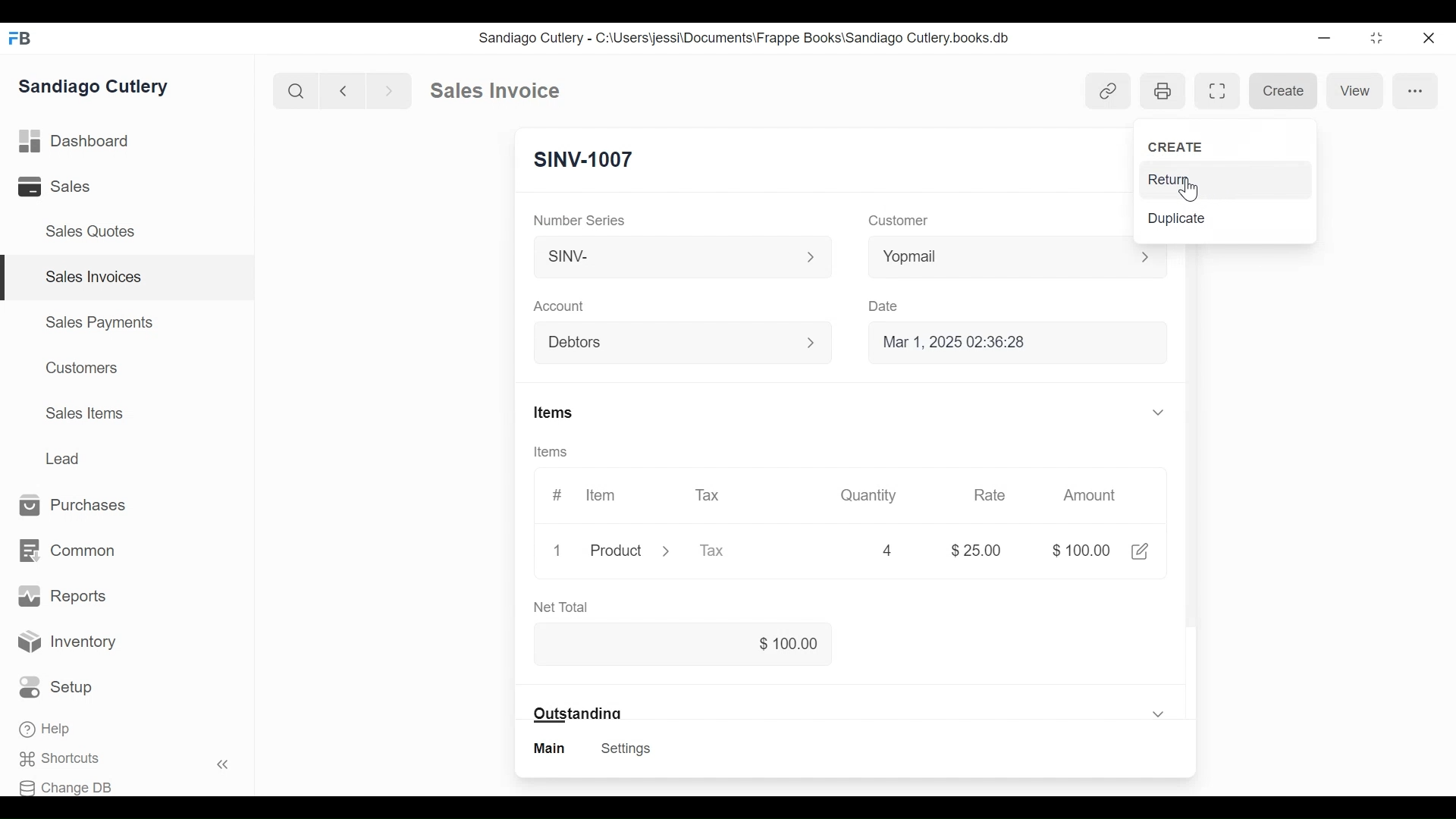 Image resolution: width=1456 pixels, height=819 pixels. What do you see at coordinates (58, 758) in the screenshot?
I see `Shortcuts` at bounding box center [58, 758].